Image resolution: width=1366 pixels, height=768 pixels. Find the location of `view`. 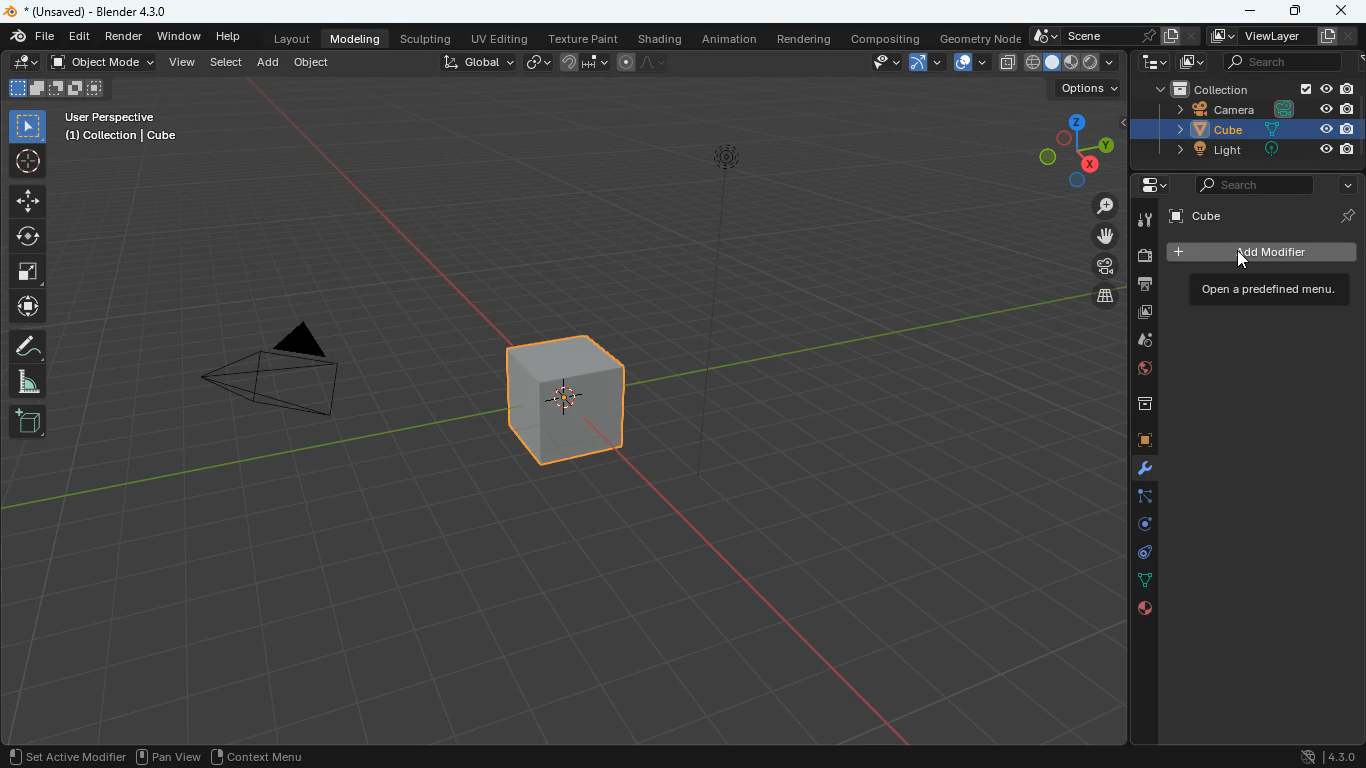

view is located at coordinates (183, 758).